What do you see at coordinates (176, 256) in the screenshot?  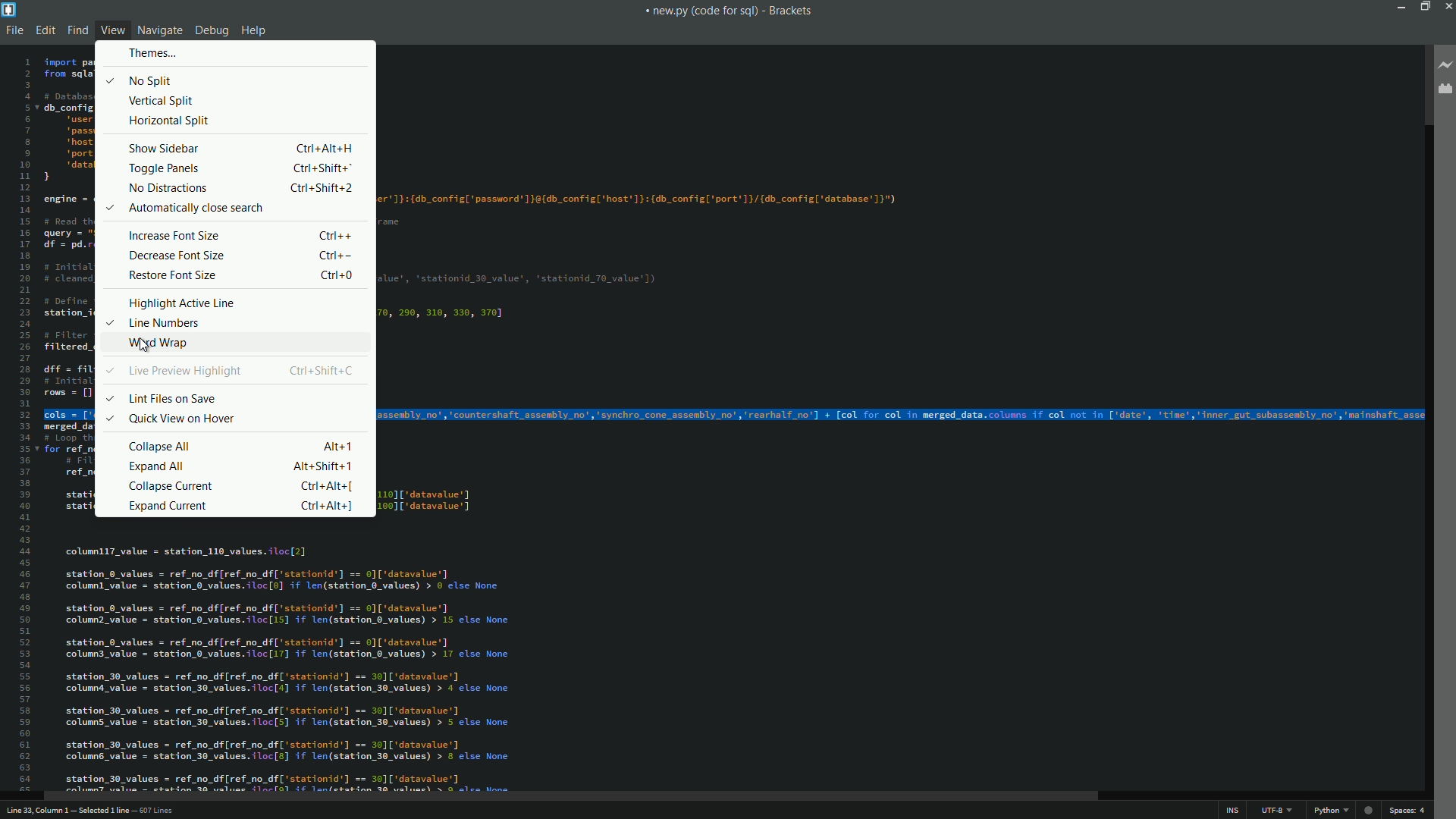 I see `decrease font size` at bounding box center [176, 256].